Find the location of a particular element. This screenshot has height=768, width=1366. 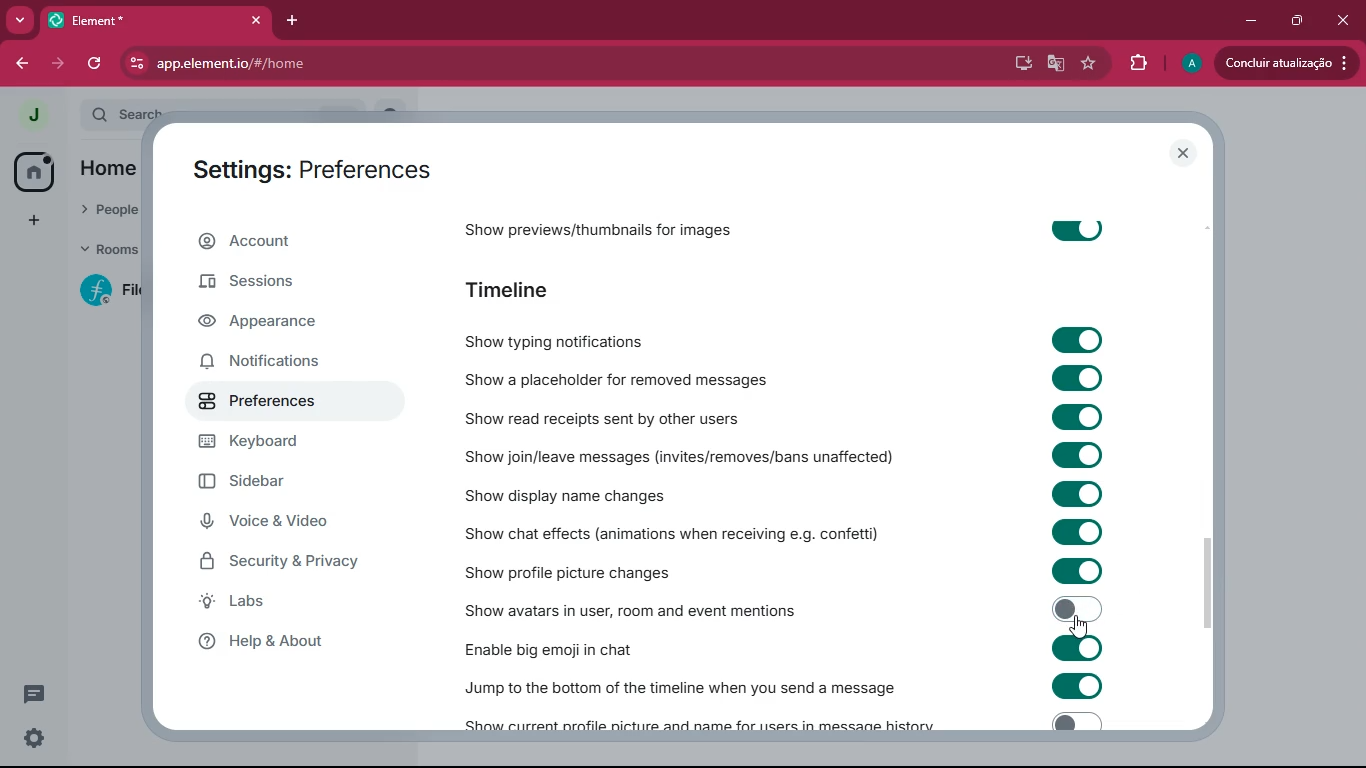

add tab is located at coordinates (289, 21).